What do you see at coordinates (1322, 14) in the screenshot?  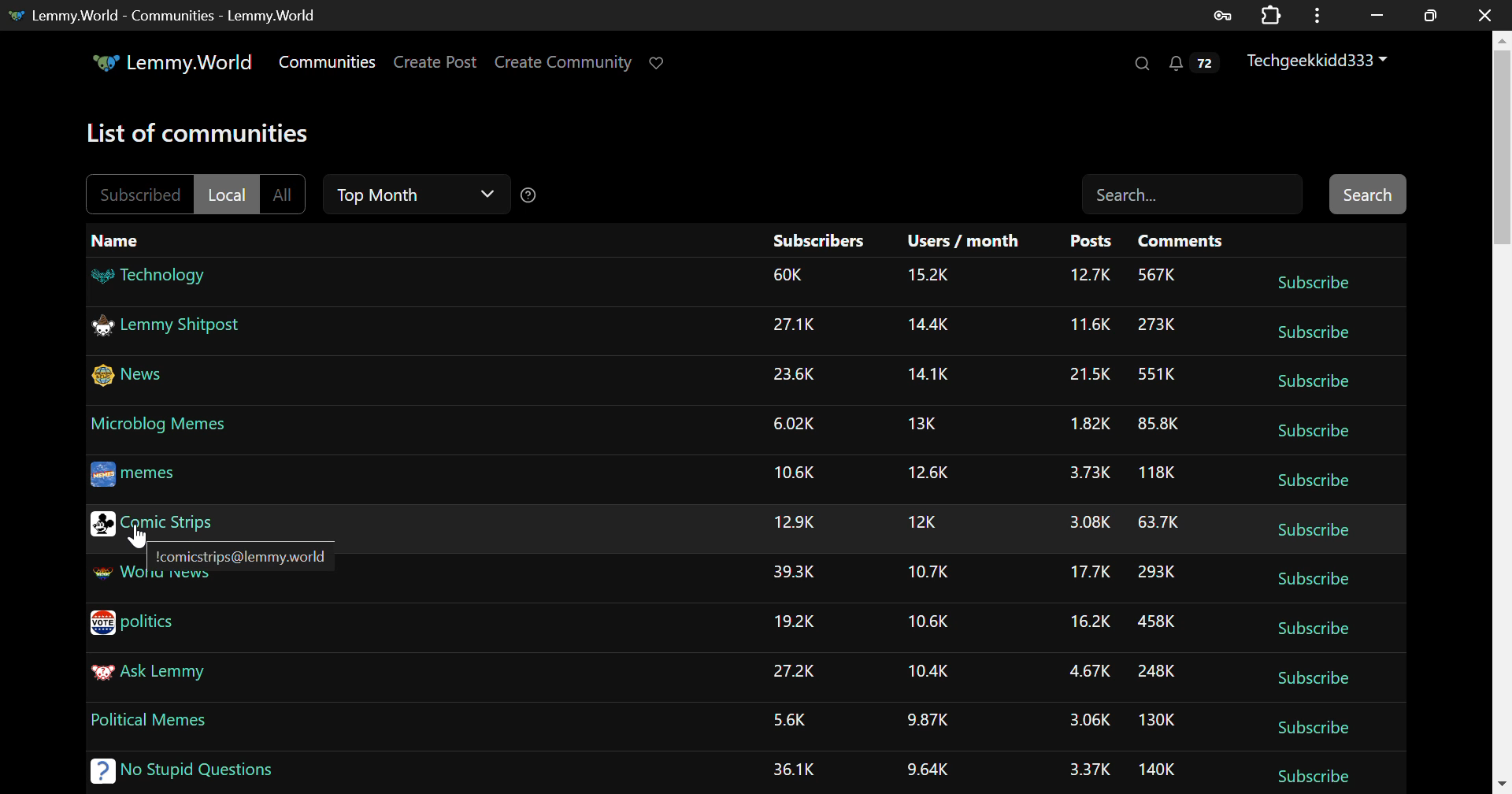 I see `Menu` at bounding box center [1322, 14].